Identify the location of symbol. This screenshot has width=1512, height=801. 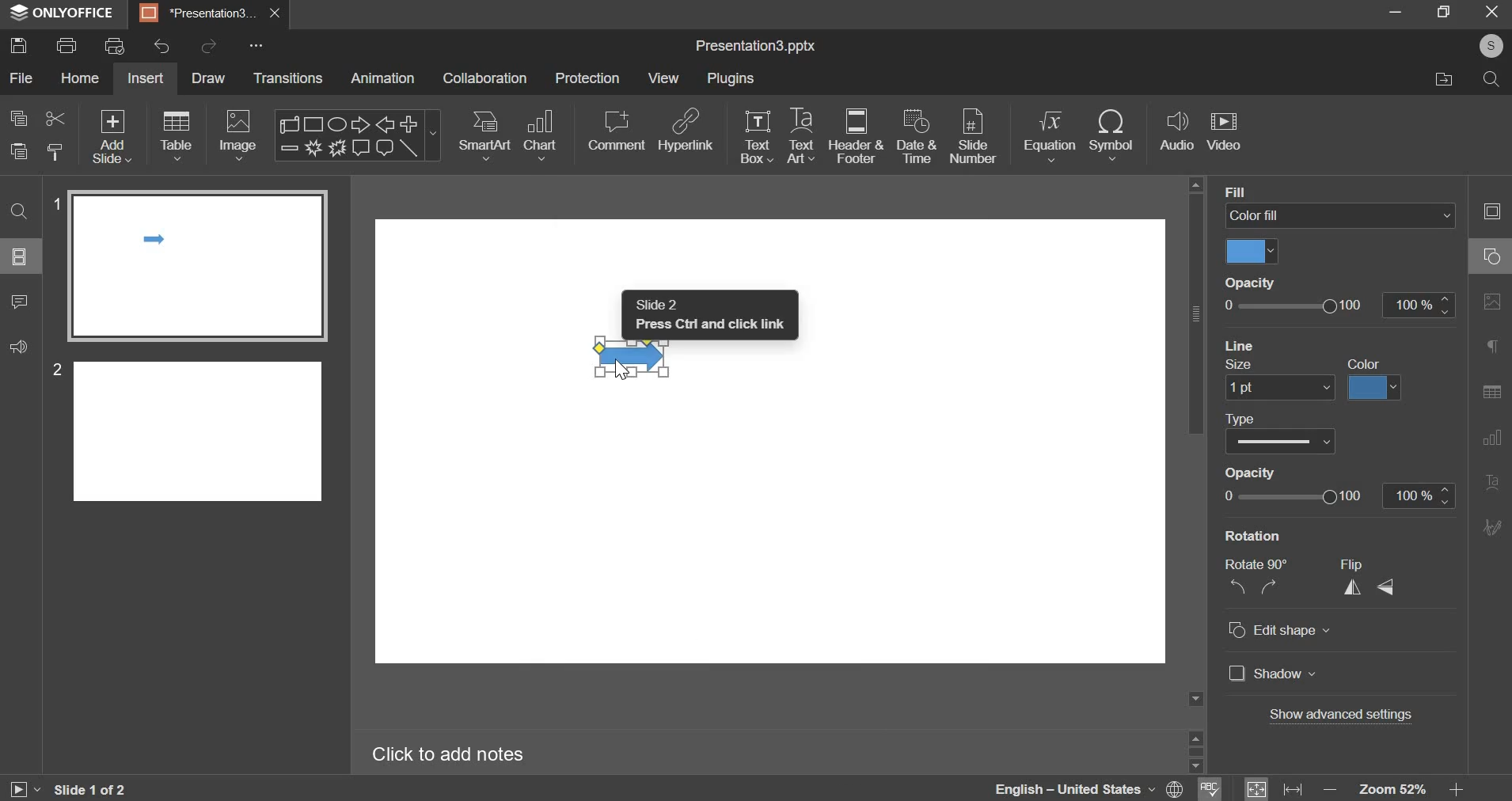
(1111, 135).